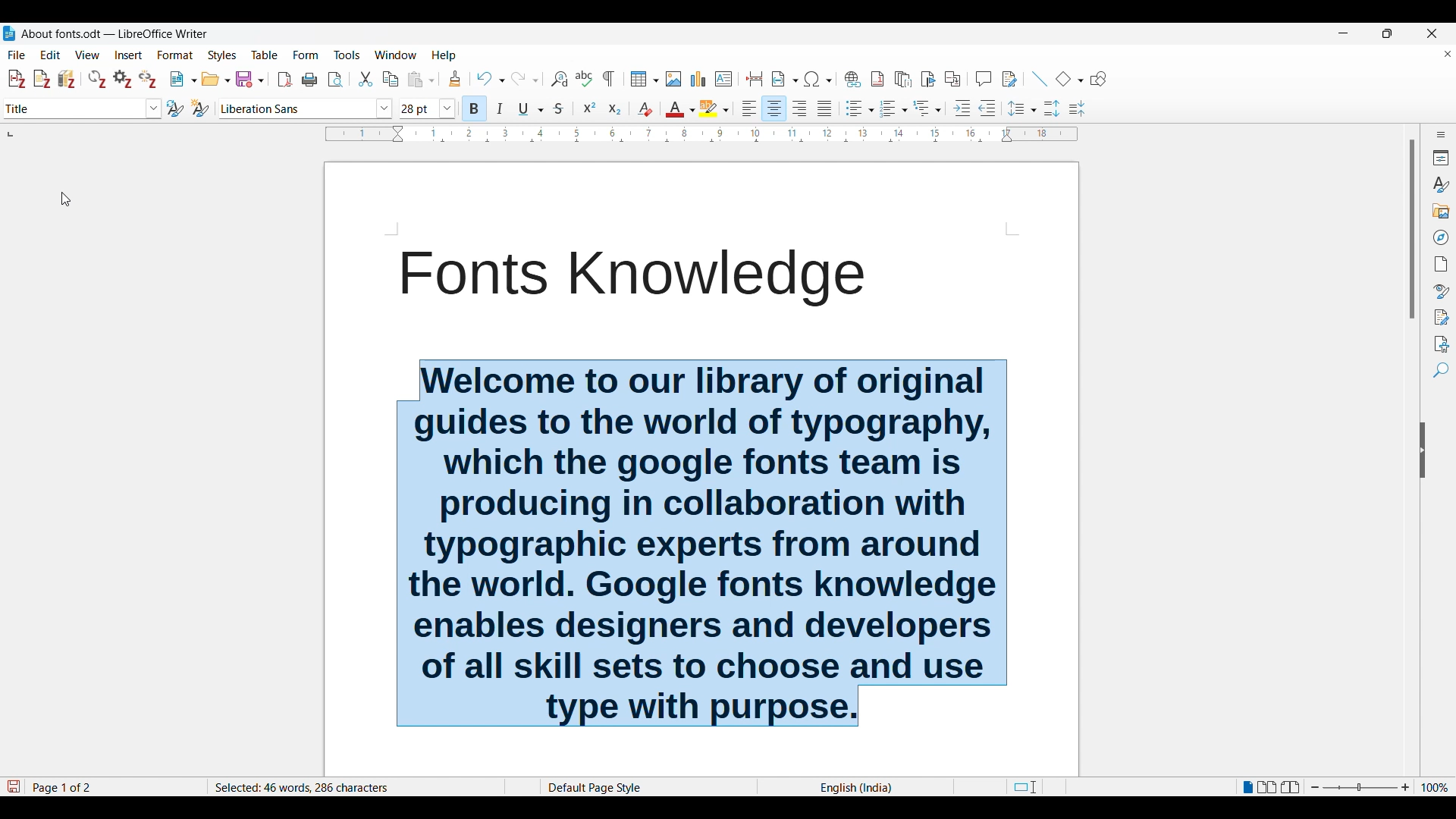 The image size is (1456, 819). I want to click on Left alignment, so click(748, 108).